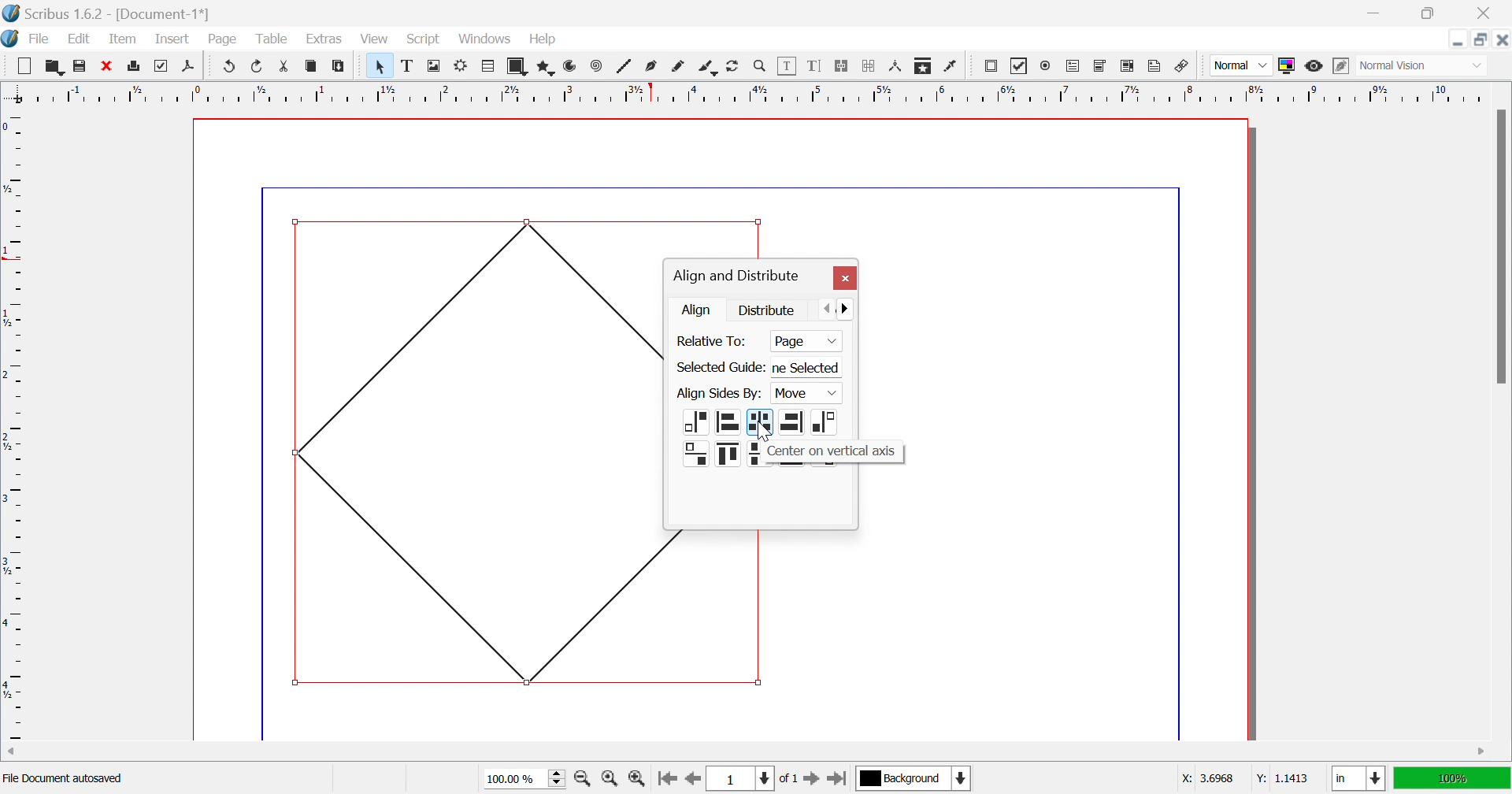 This screenshot has width=1512, height=794. Describe the element at coordinates (1048, 64) in the screenshot. I see `PDF radio button` at that location.